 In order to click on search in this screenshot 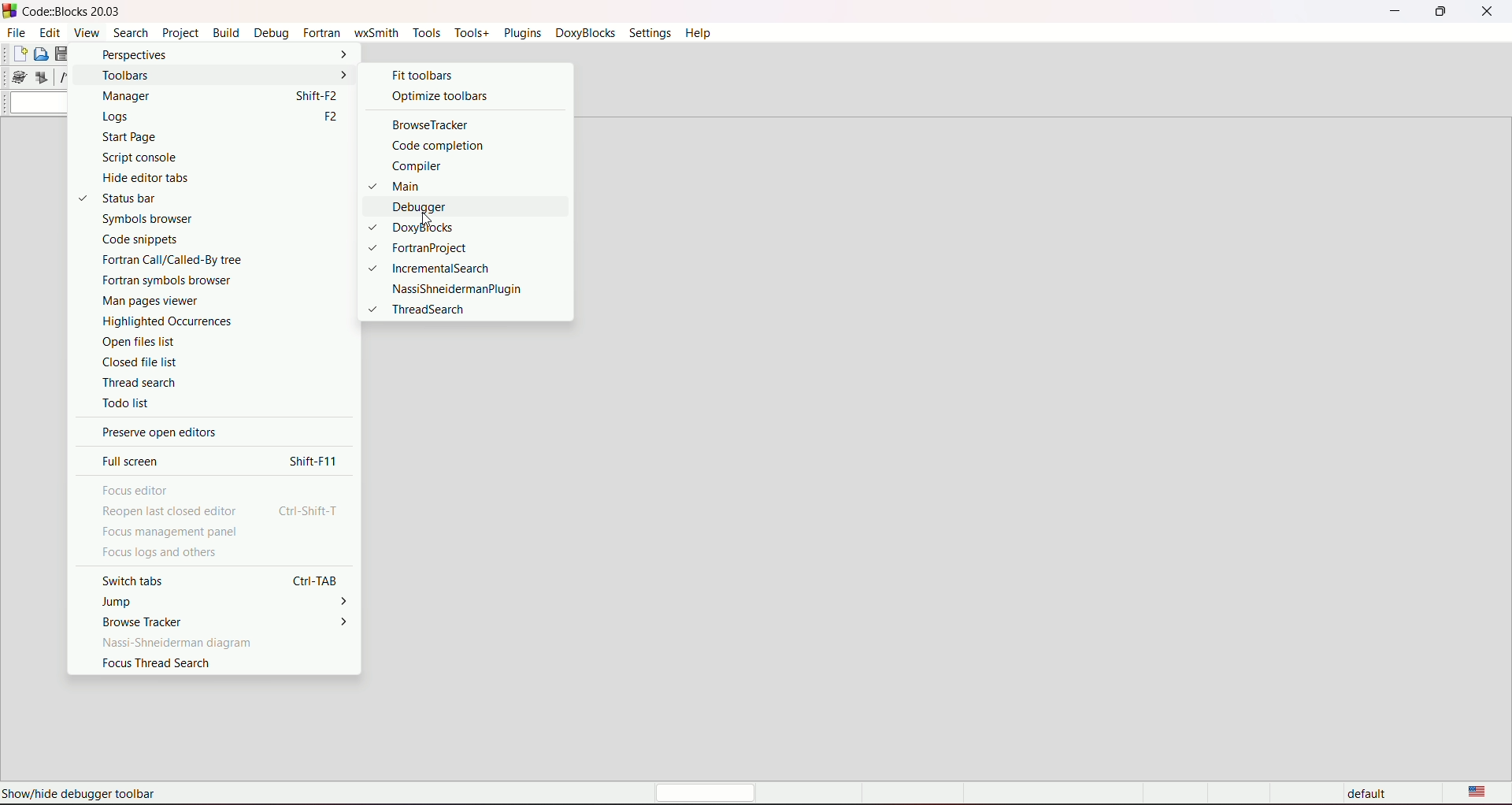, I will do `click(130, 32)`.